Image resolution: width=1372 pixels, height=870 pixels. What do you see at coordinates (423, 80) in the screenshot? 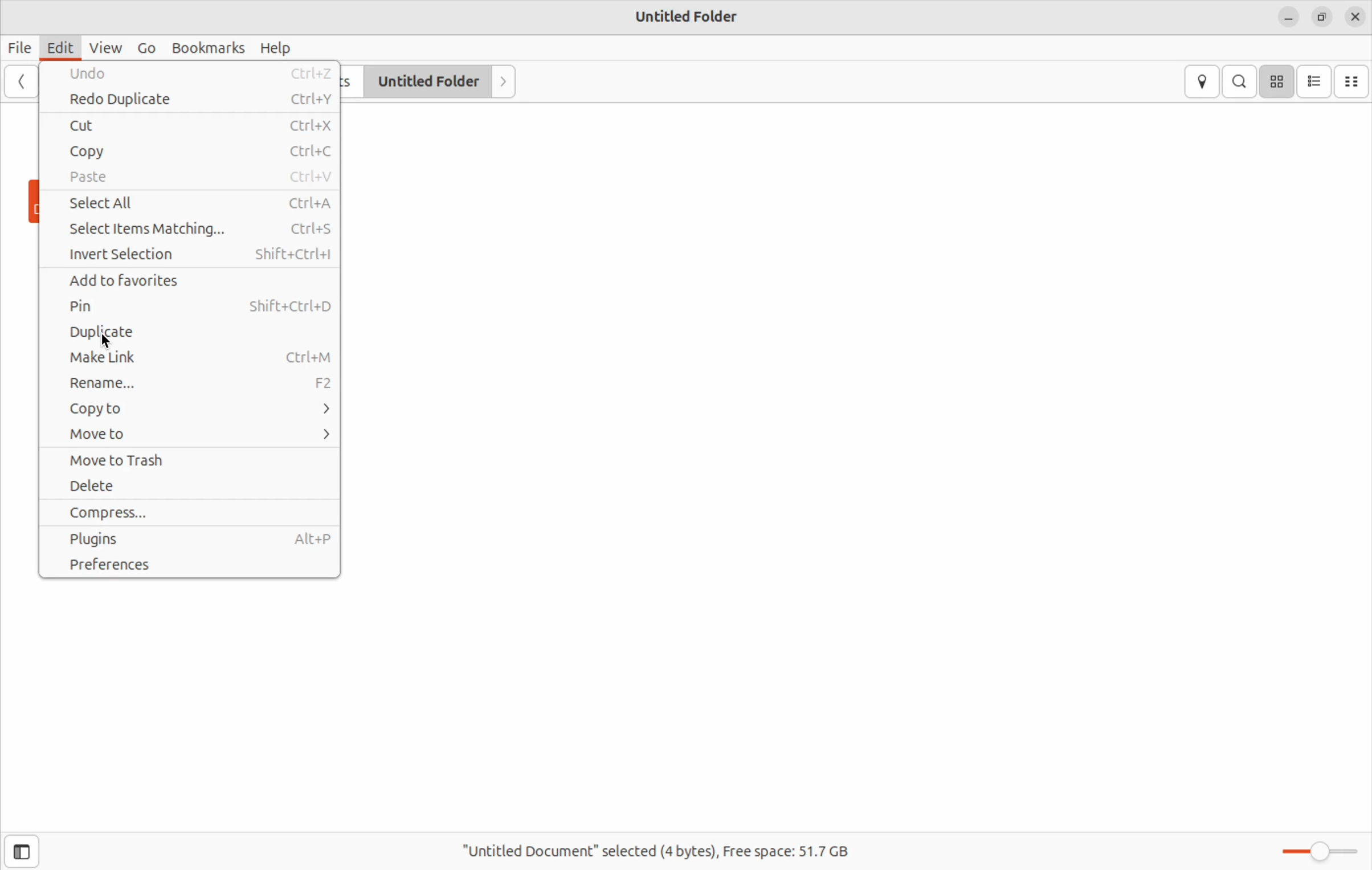
I see `Untitled Folder` at bounding box center [423, 80].